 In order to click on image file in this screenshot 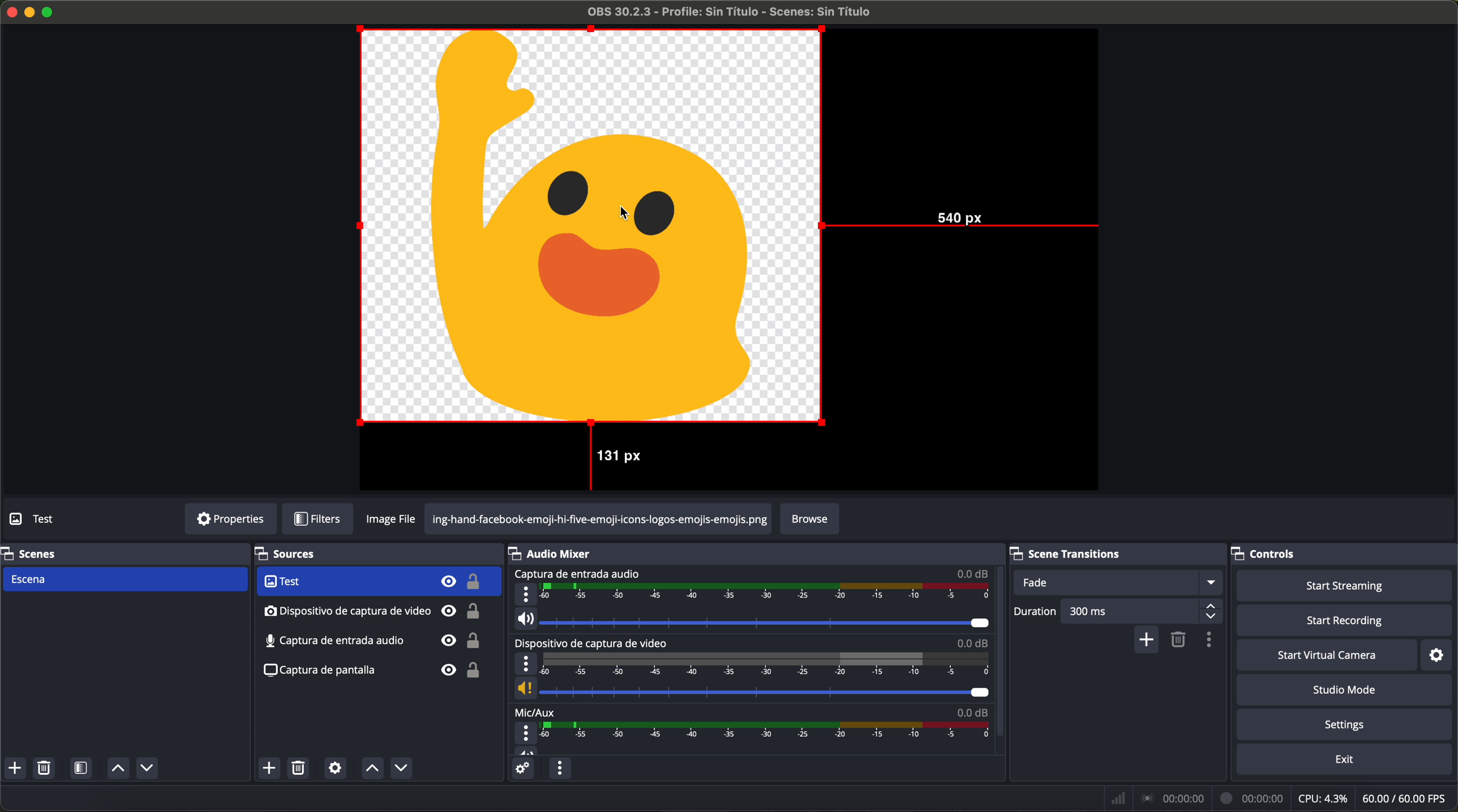, I will do `click(393, 519)`.